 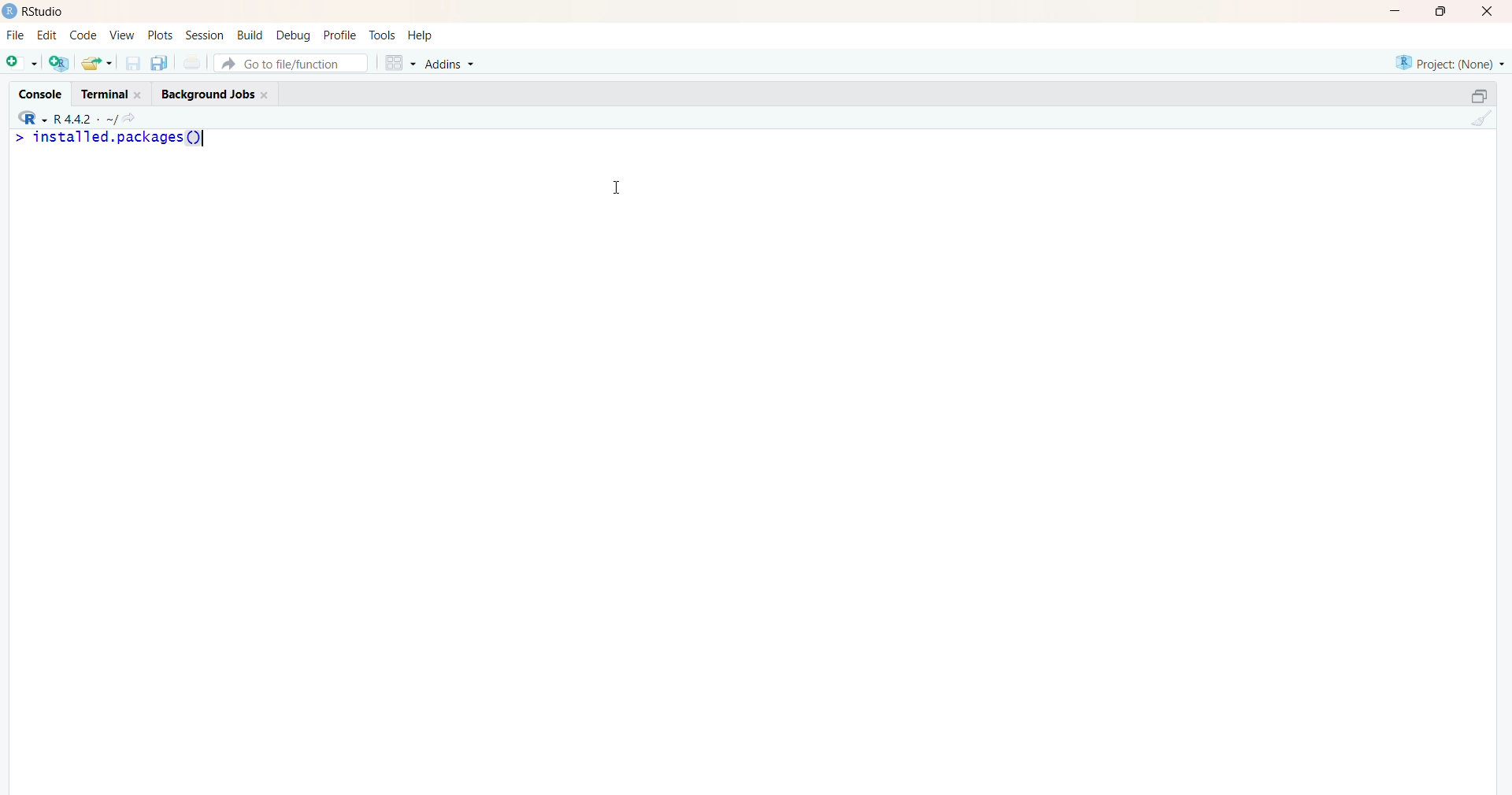 I want to click on build, so click(x=251, y=35).